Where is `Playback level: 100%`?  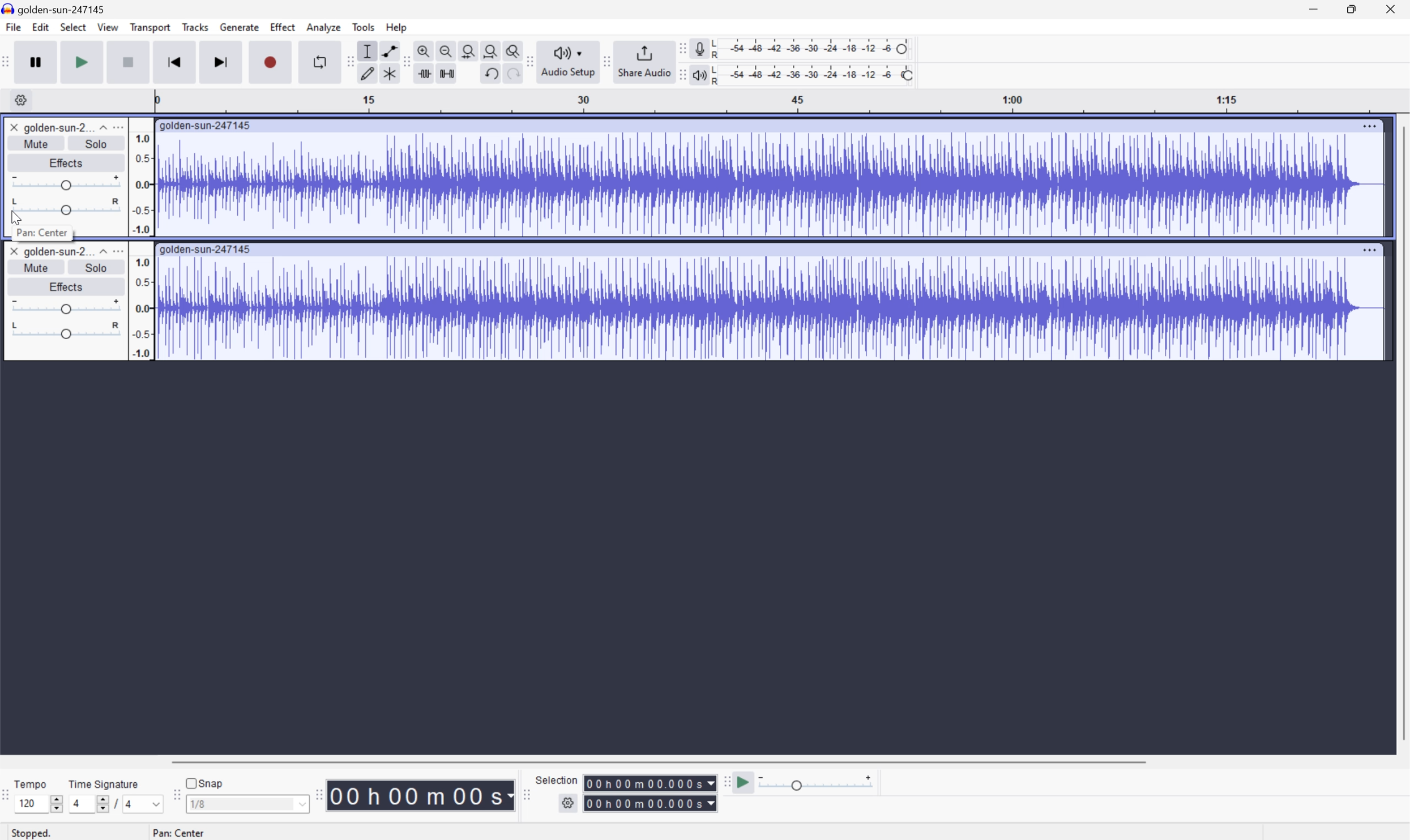
Playback level: 100% is located at coordinates (814, 76).